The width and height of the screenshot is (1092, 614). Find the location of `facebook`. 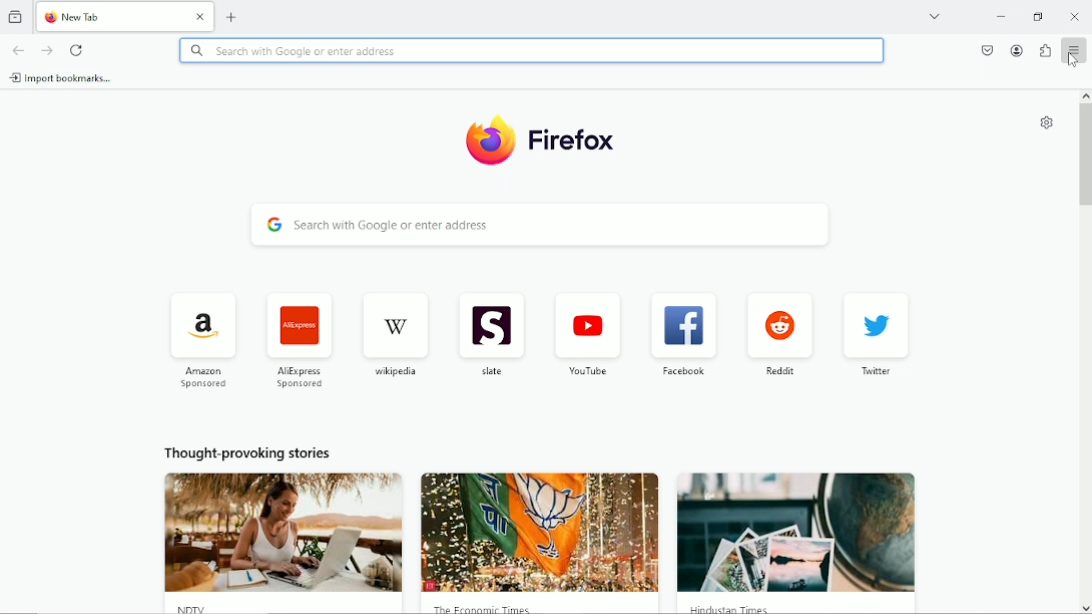

facebook is located at coordinates (682, 374).